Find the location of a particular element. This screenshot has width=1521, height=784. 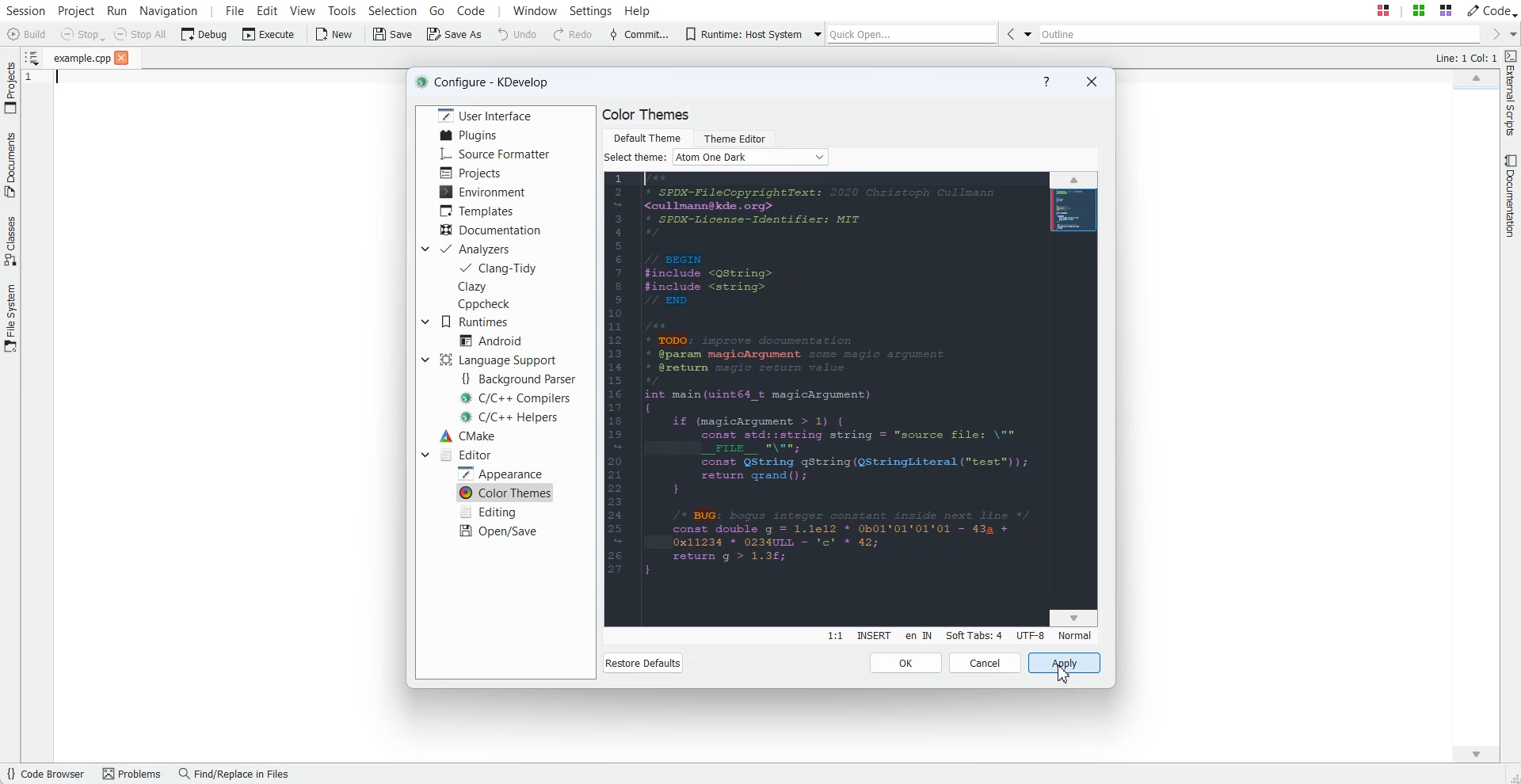

Classes is located at coordinates (10, 243).